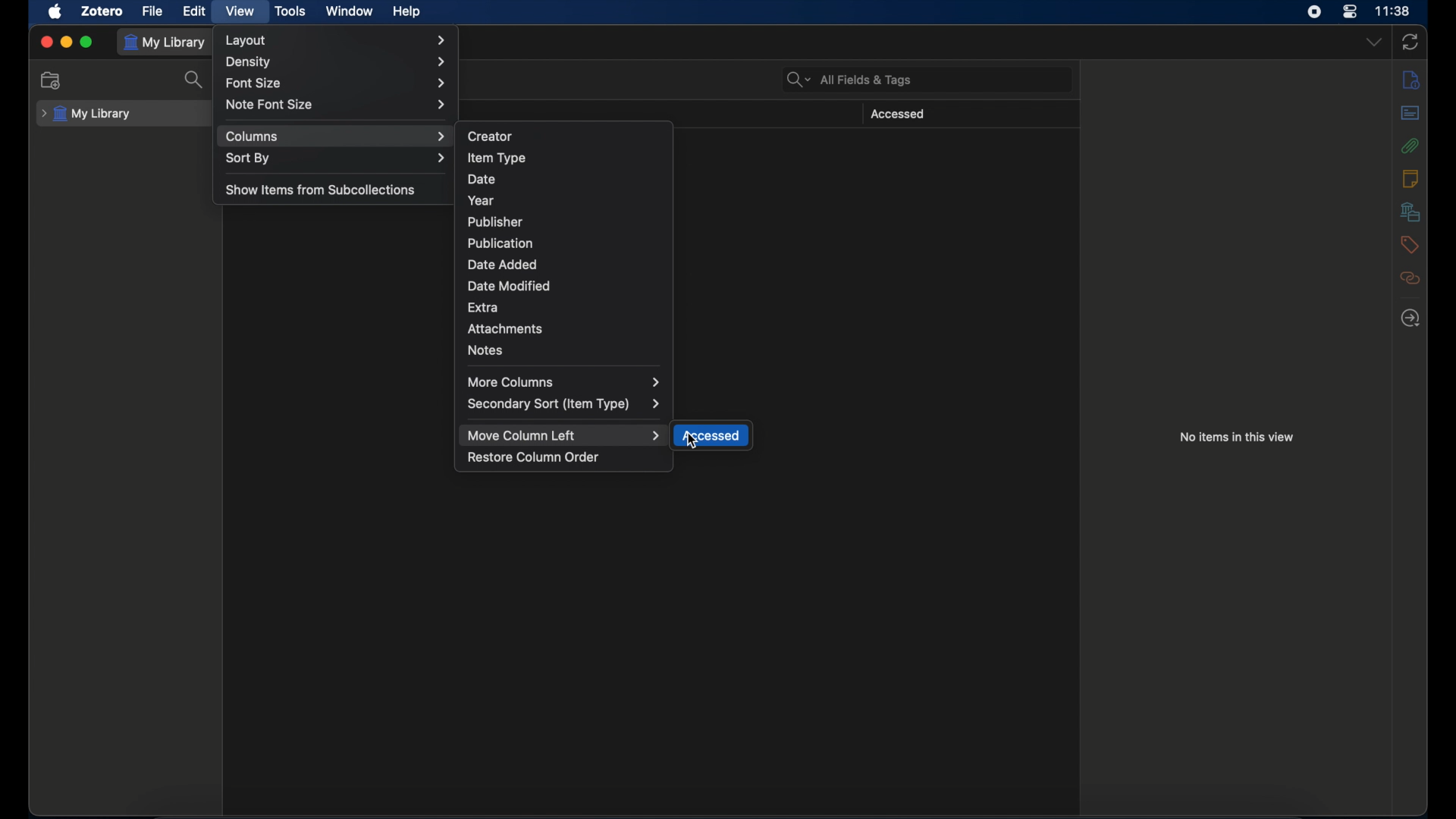 The width and height of the screenshot is (1456, 819). Describe the element at coordinates (849, 80) in the screenshot. I see `search bar` at that location.